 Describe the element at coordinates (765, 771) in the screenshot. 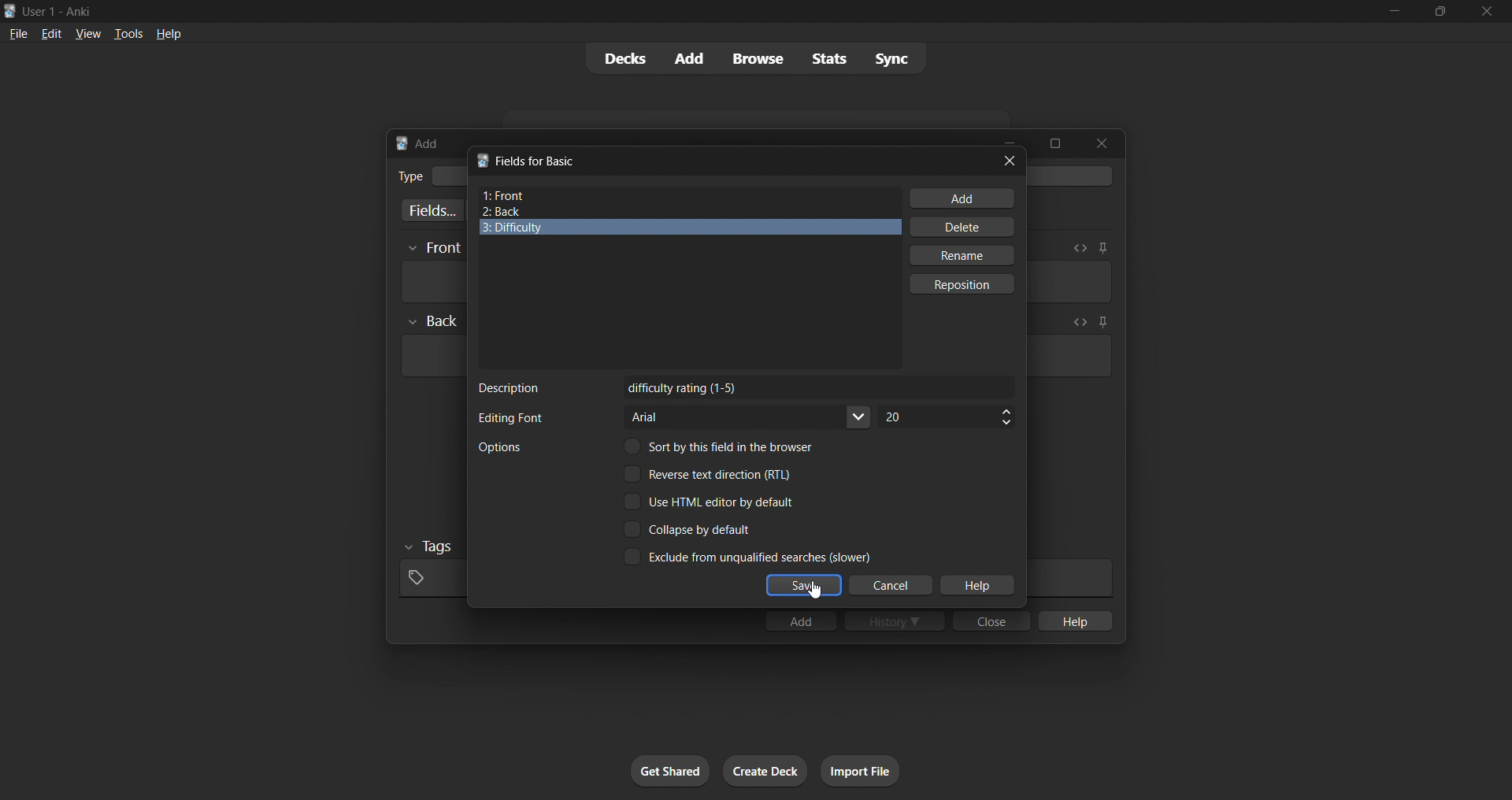

I see `create deck` at that location.